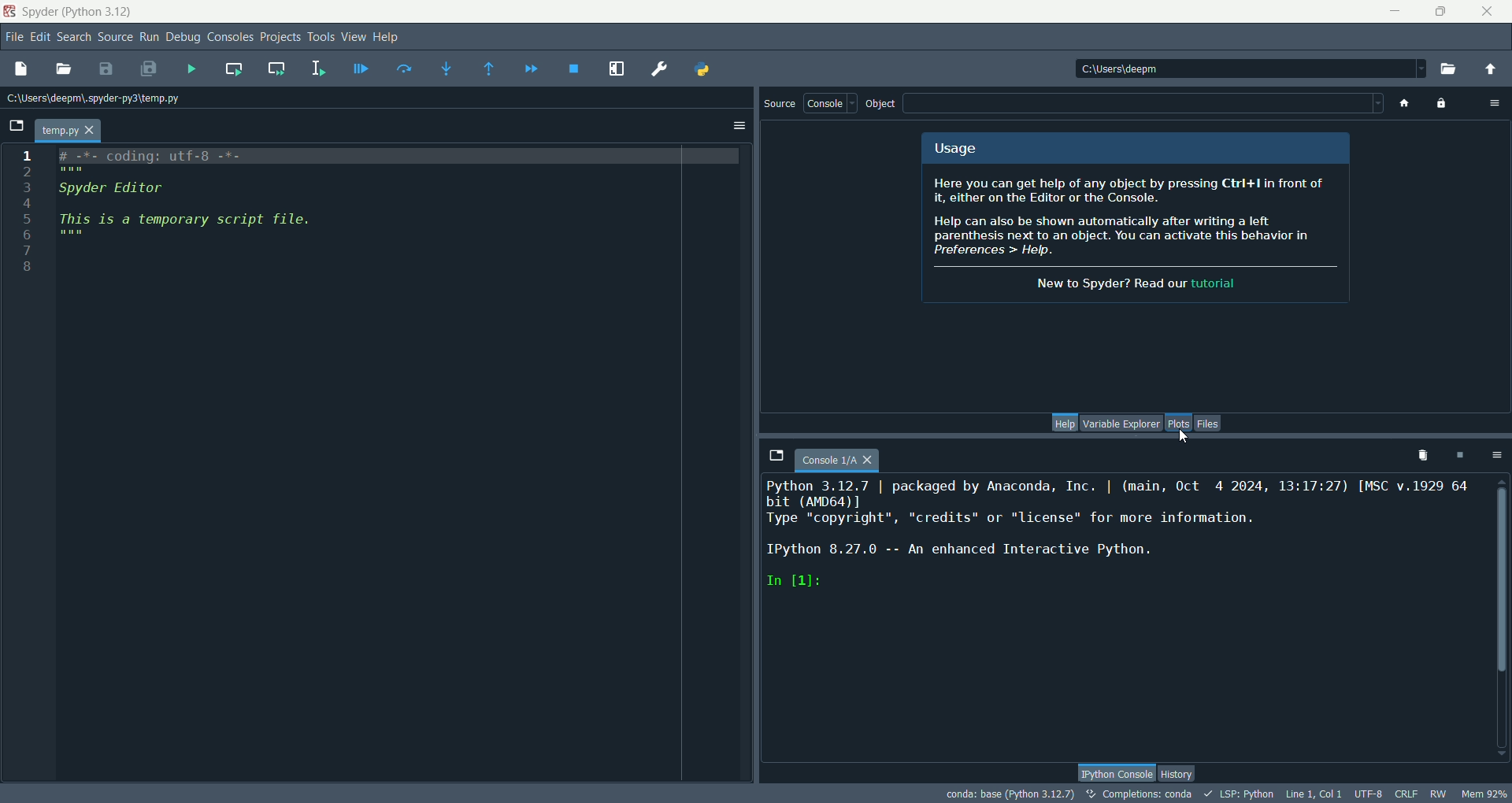 The width and height of the screenshot is (1512, 803). I want to click on console, so click(829, 103).